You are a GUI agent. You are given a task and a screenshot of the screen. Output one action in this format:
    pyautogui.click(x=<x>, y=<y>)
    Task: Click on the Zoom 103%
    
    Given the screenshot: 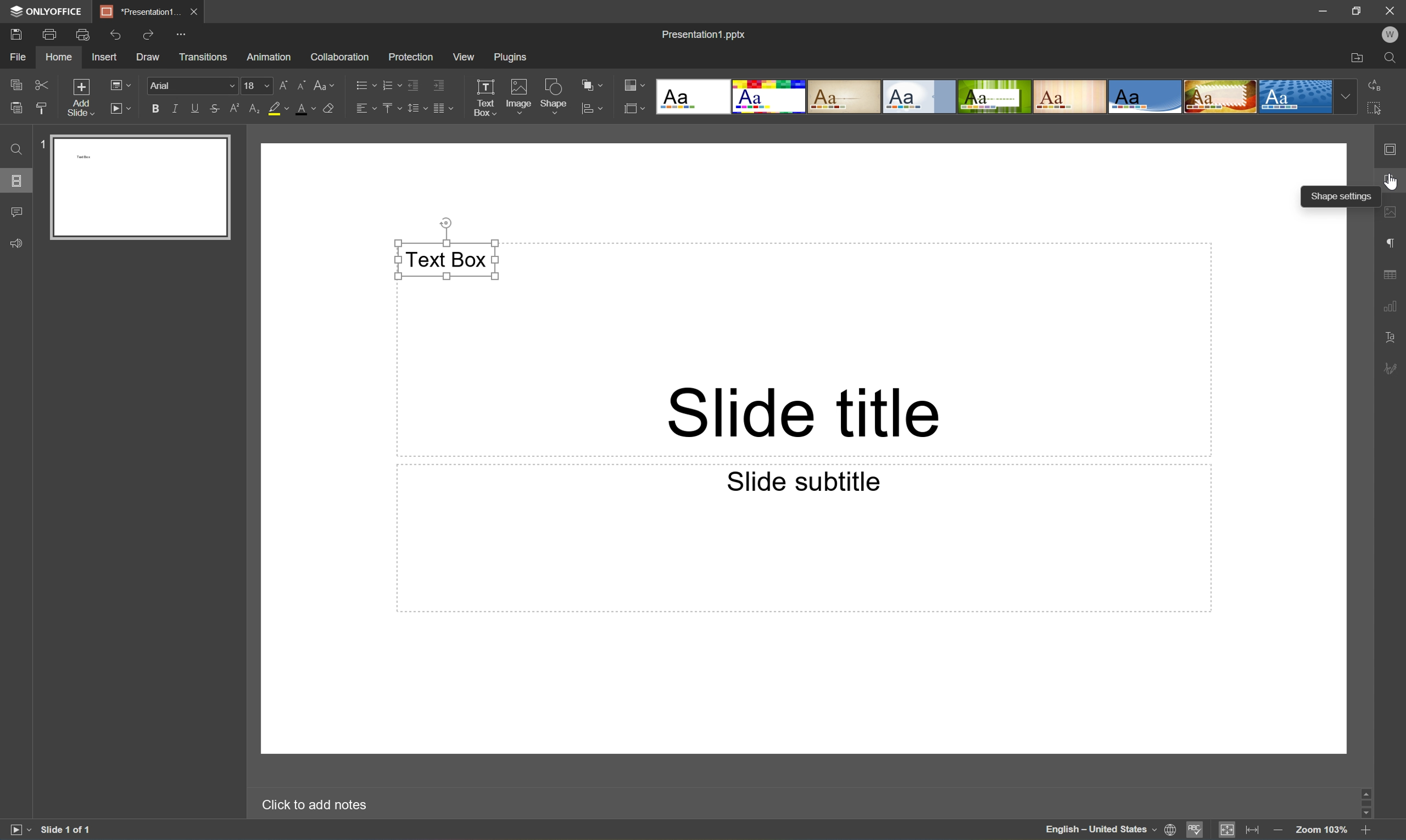 What is the action you would take?
    pyautogui.click(x=1321, y=830)
    